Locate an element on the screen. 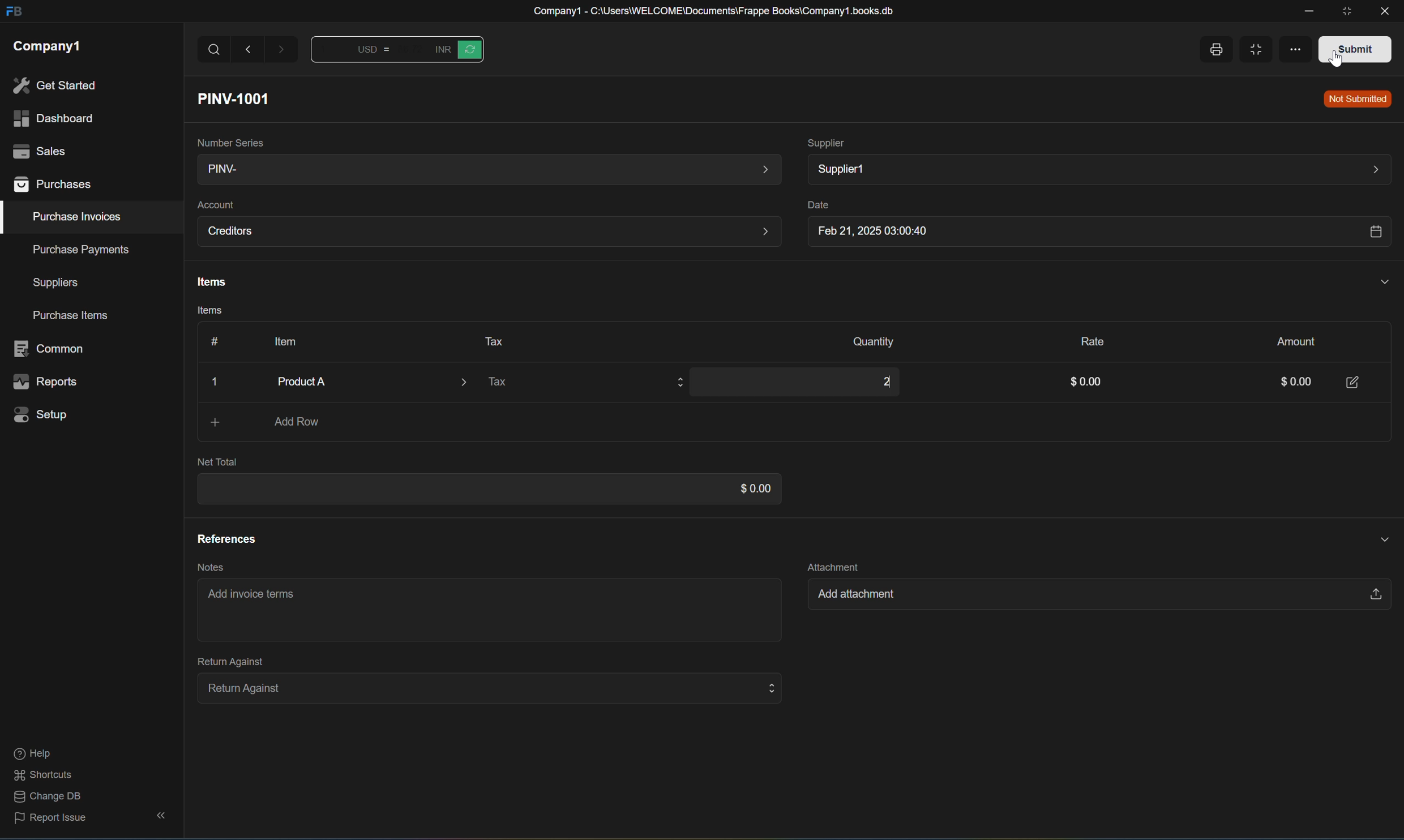 The image size is (1404, 840). suppliers is located at coordinates (55, 283).